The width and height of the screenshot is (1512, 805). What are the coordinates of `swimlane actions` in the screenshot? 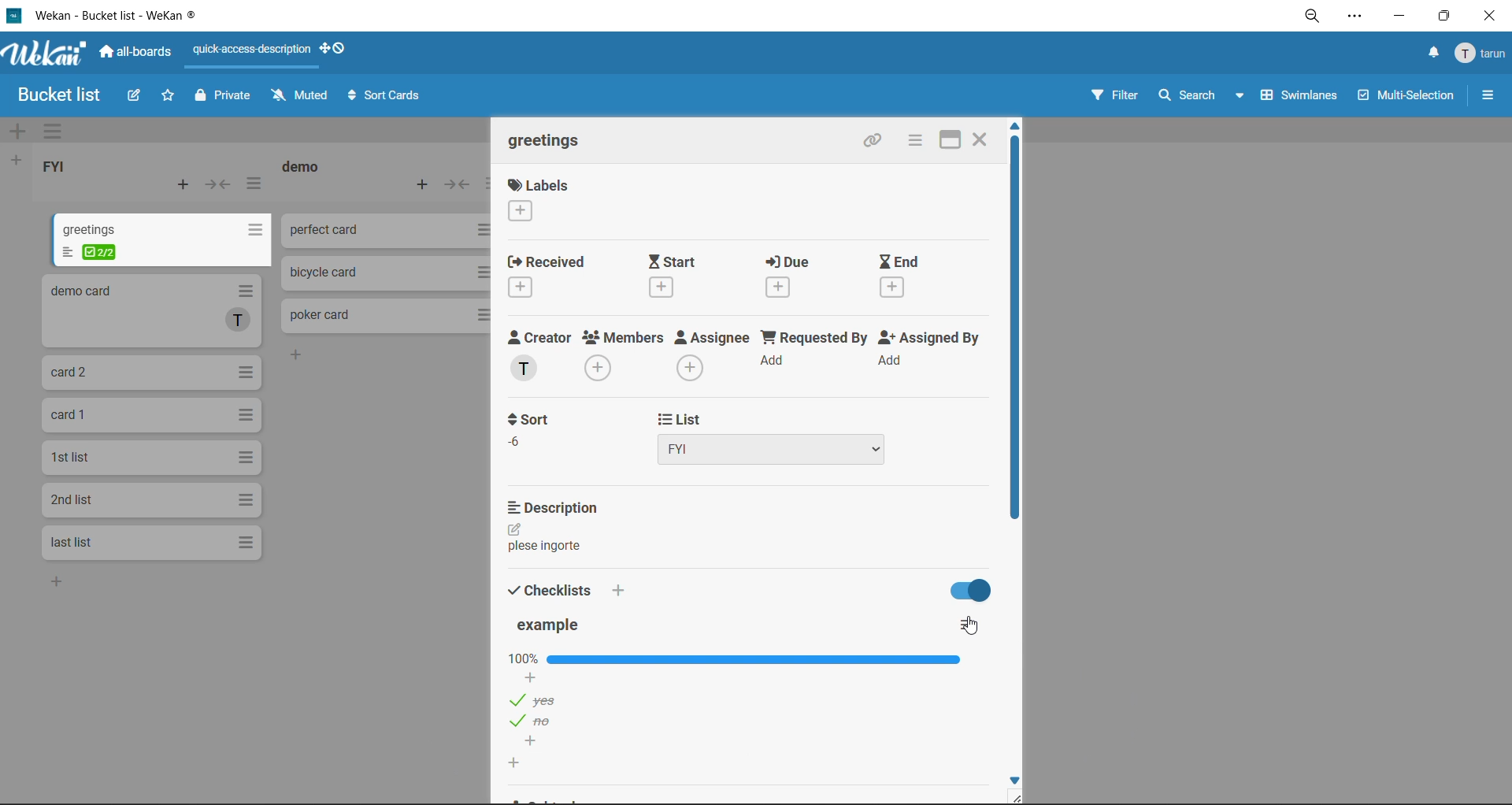 It's located at (59, 131).